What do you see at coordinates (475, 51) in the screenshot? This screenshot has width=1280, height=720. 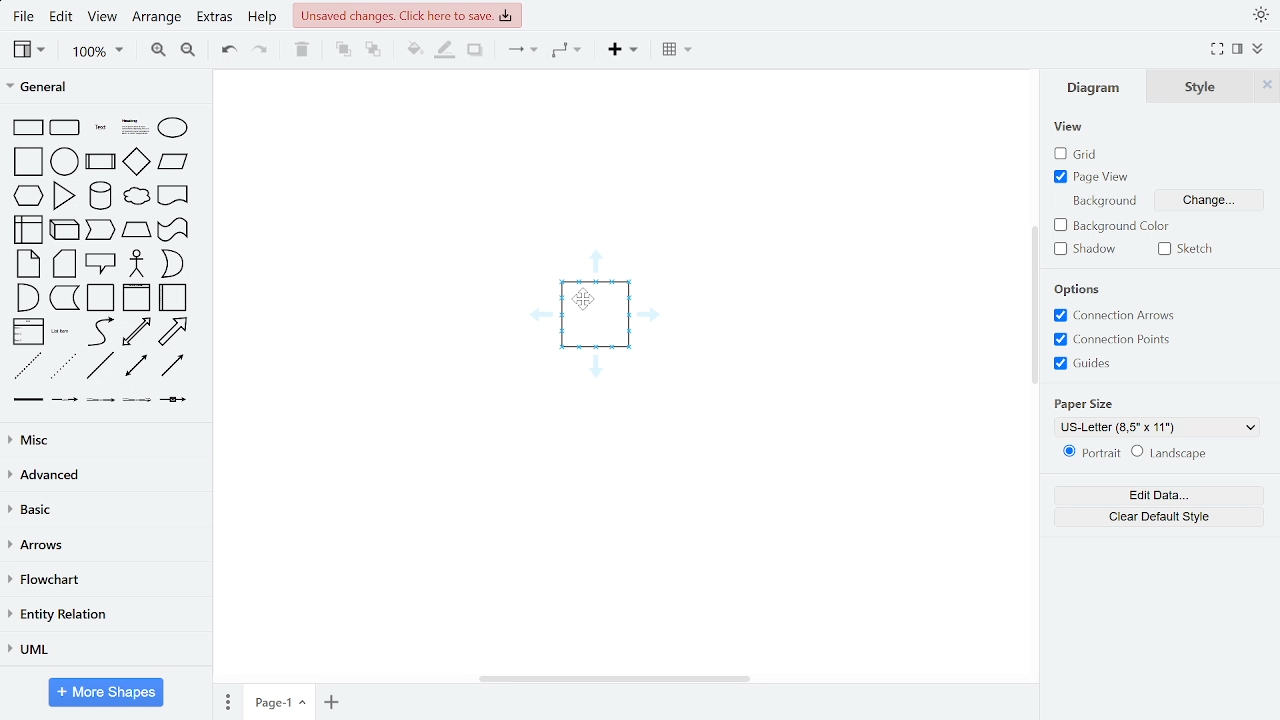 I see `shadow` at bounding box center [475, 51].